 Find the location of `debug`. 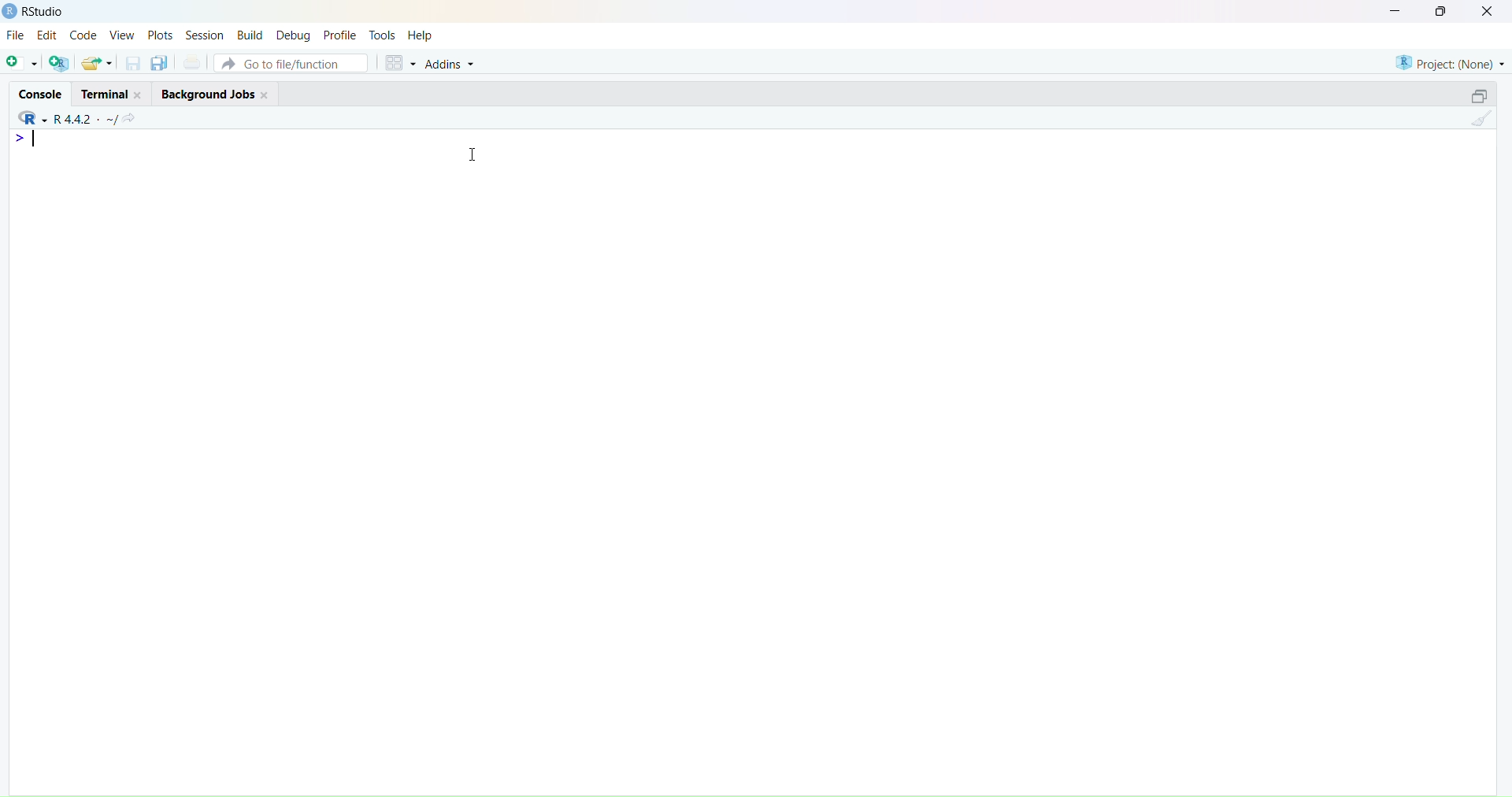

debug is located at coordinates (293, 36).